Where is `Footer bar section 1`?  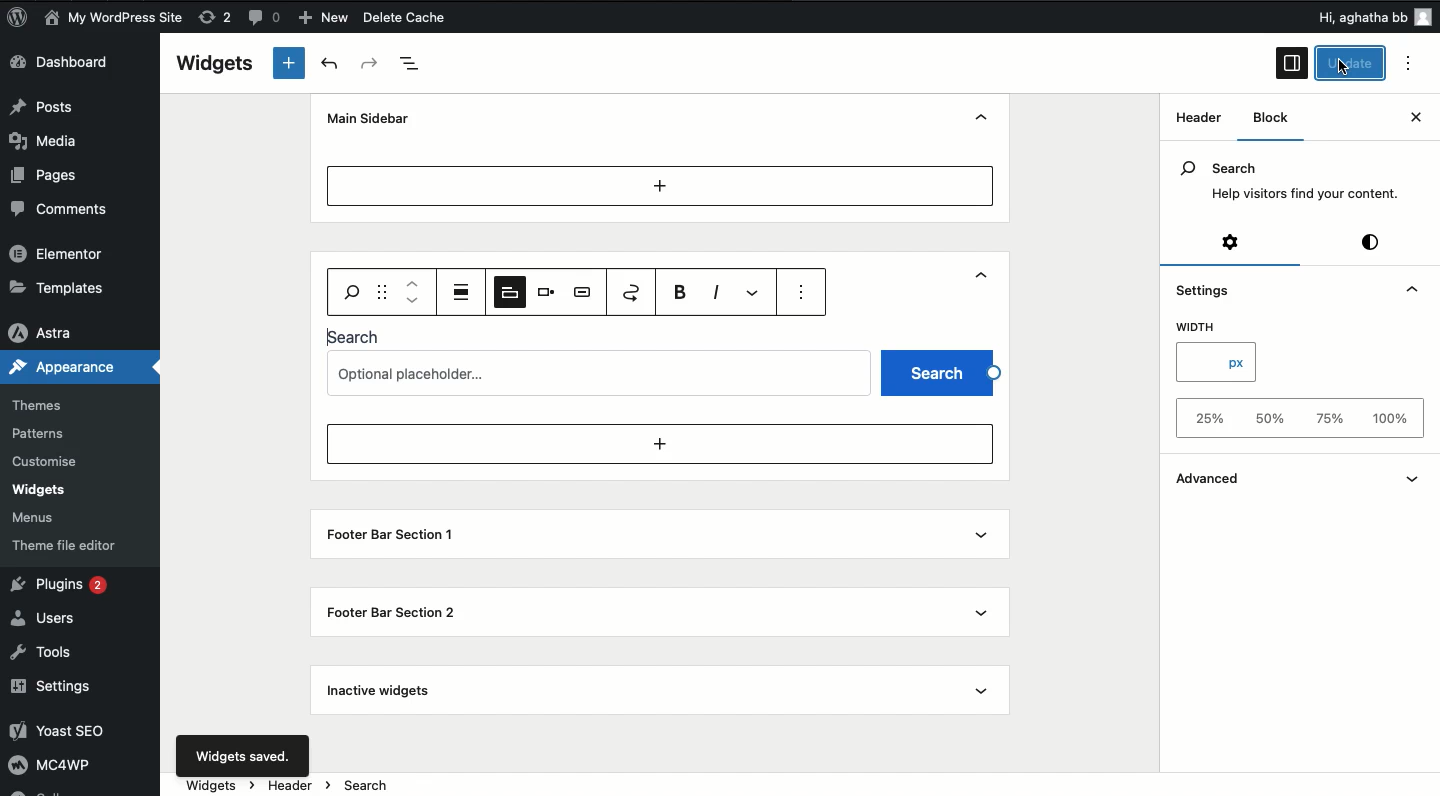
Footer bar section 1 is located at coordinates (386, 536).